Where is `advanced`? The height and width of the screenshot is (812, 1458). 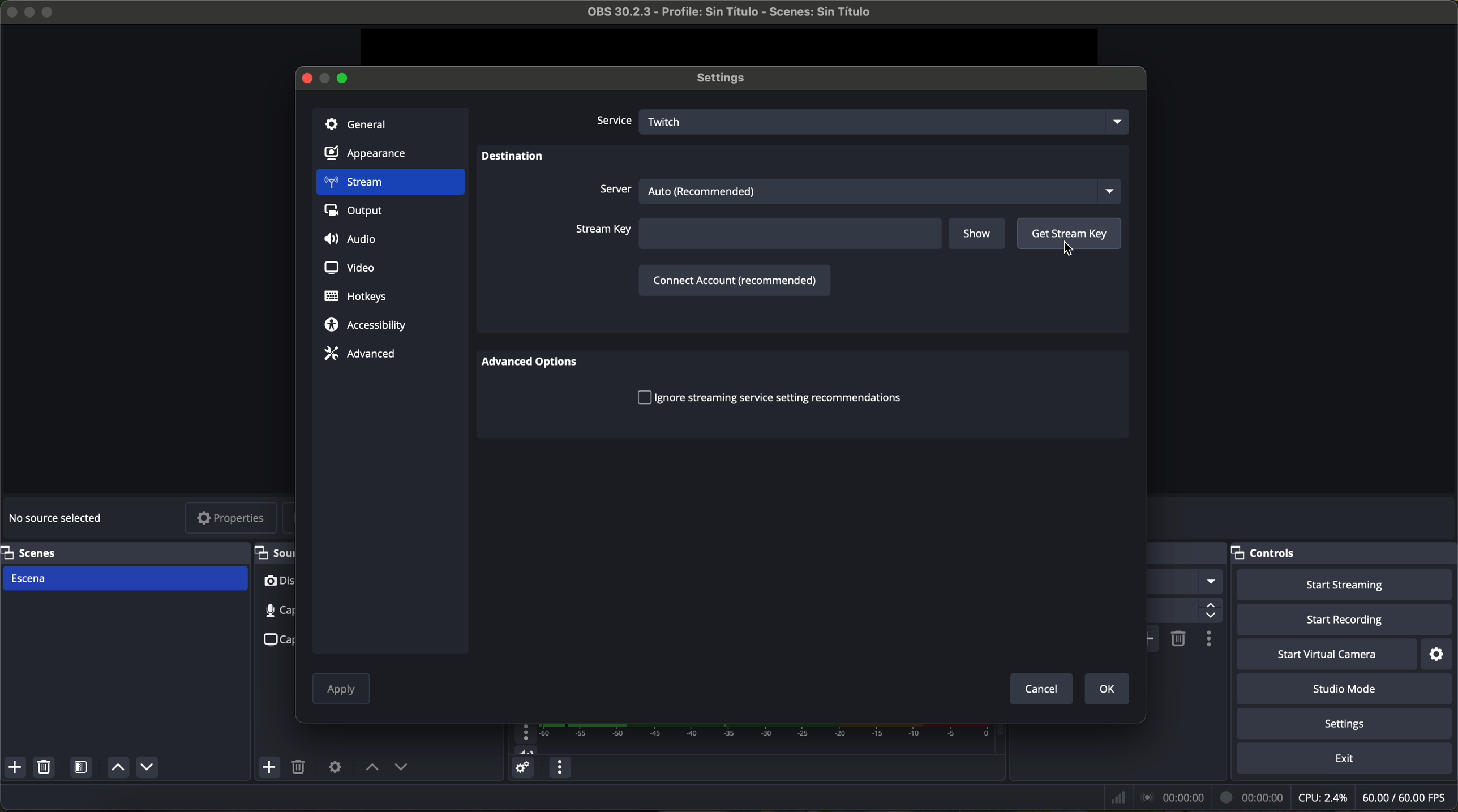
advanced is located at coordinates (359, 353).